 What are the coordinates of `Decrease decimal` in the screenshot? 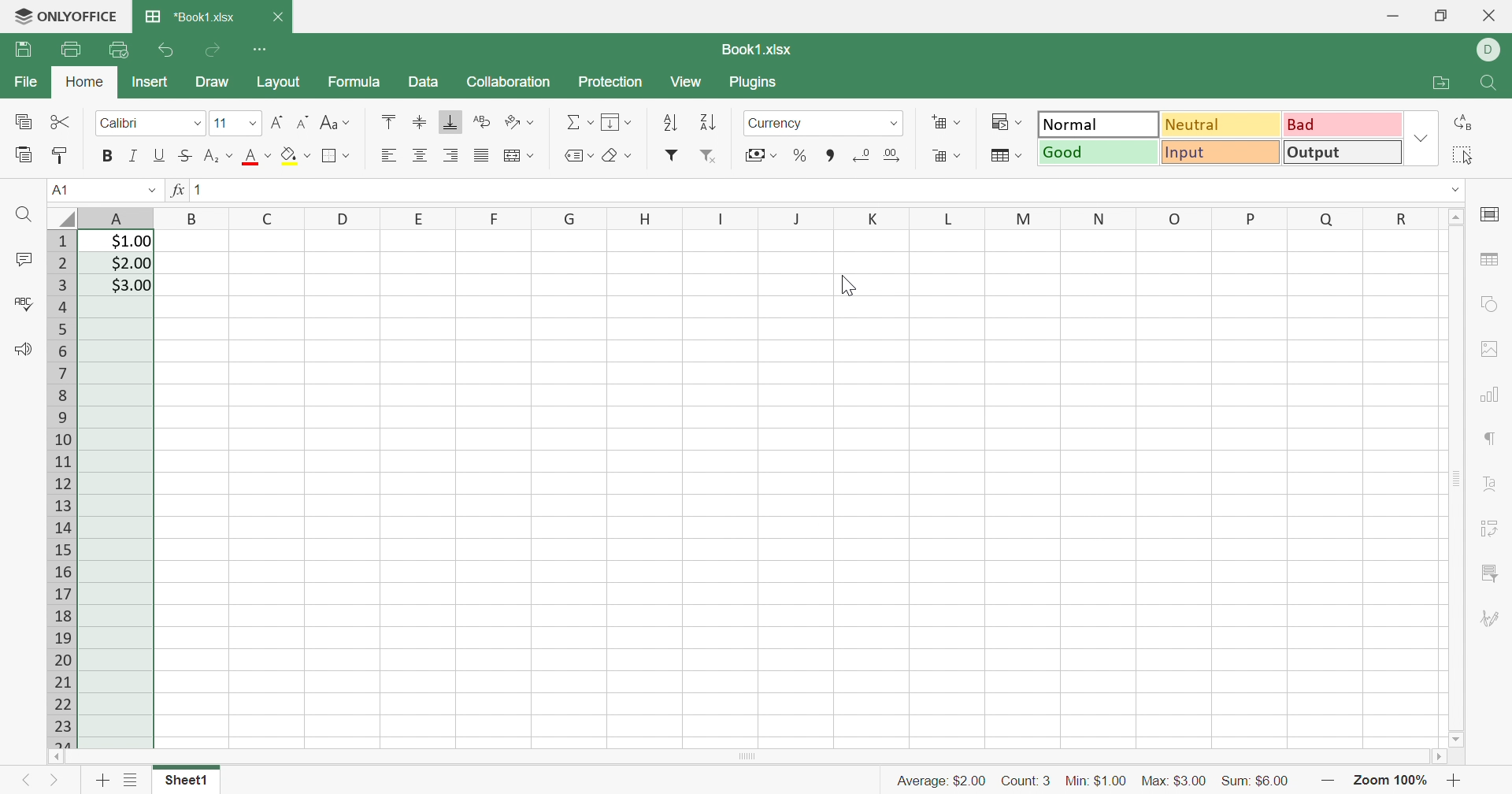 It's located at (860, 155).